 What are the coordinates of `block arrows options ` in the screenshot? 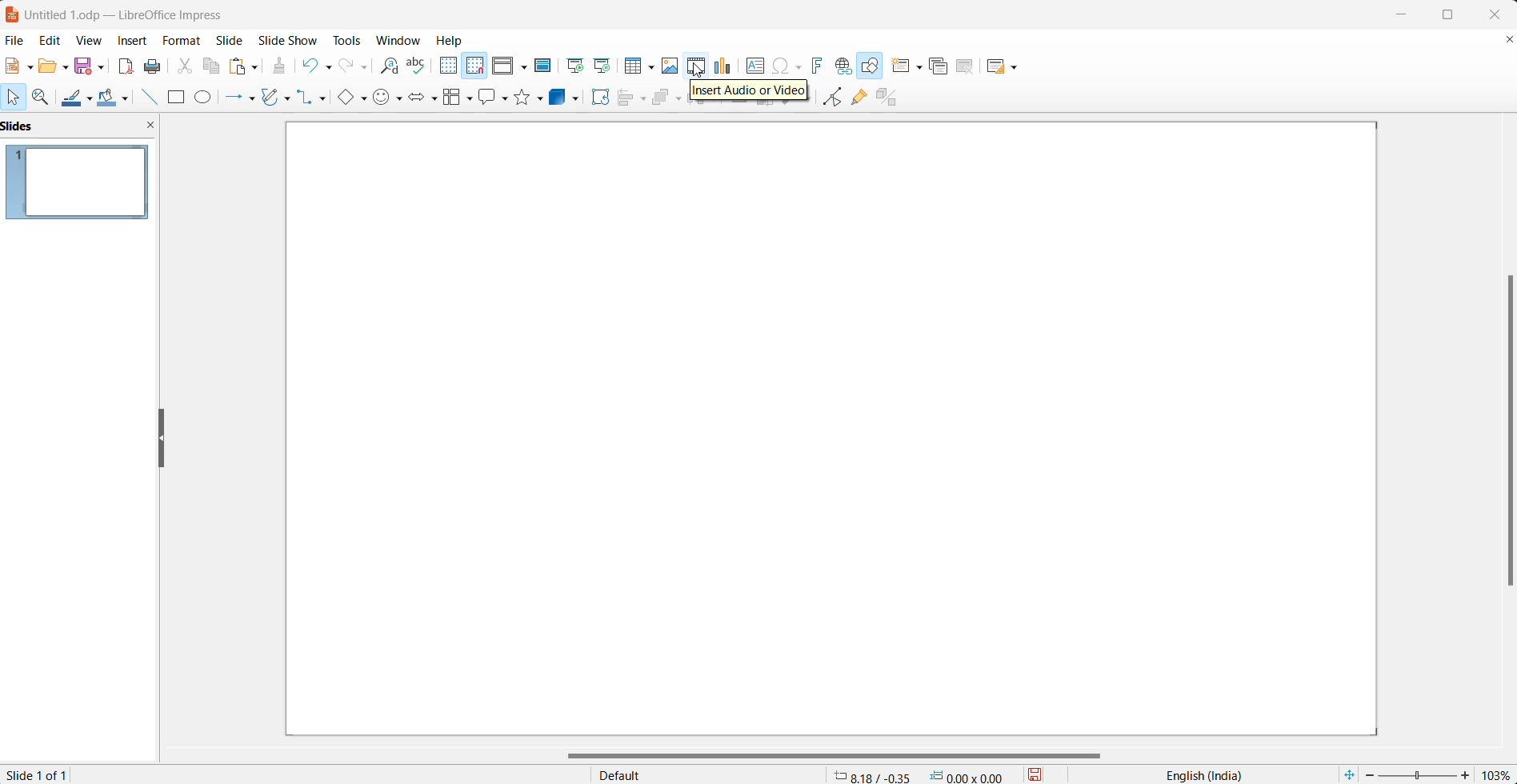 It's located at (437, 101).